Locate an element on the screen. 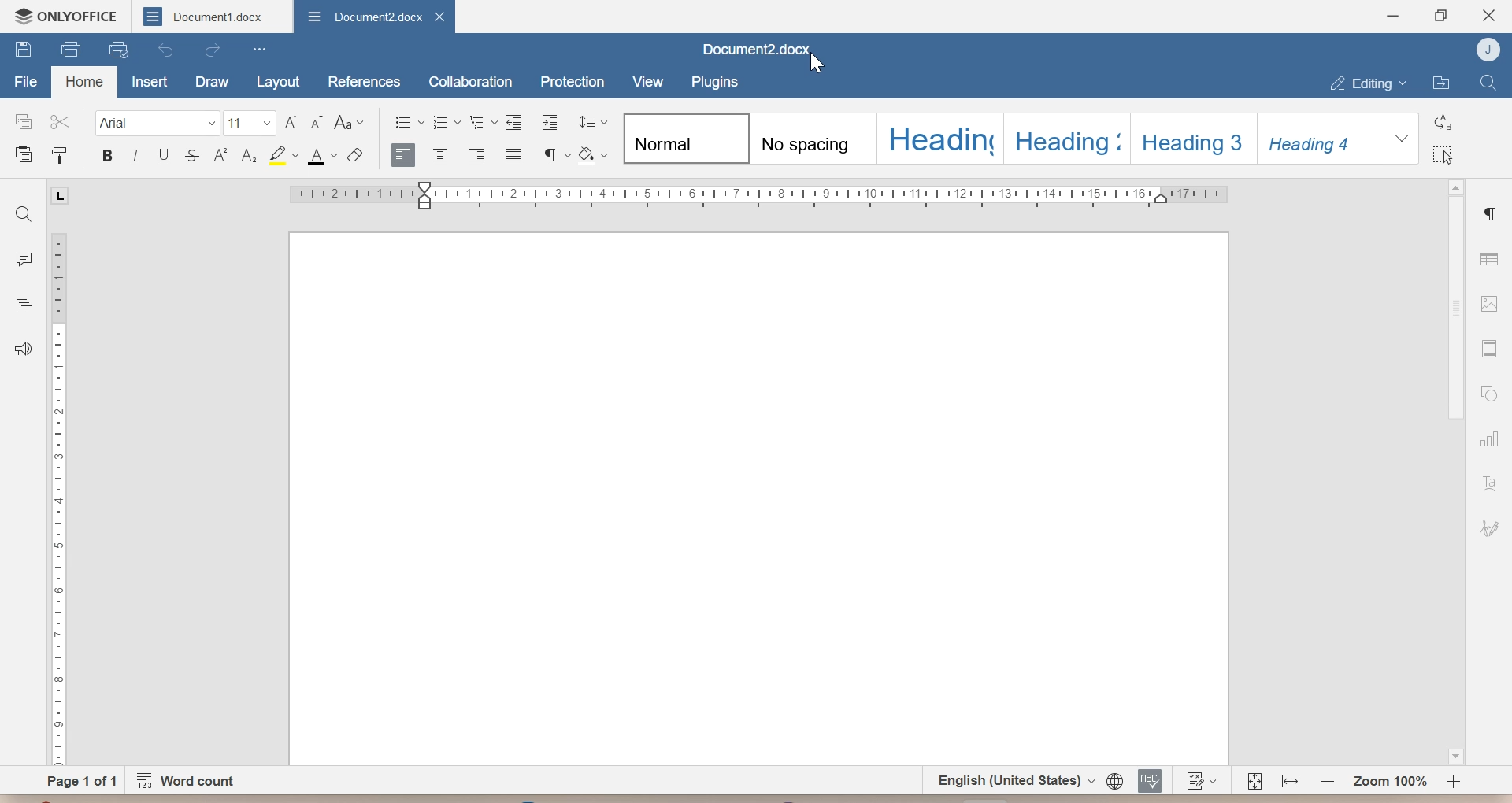 This screenshot has height=803, width=1512. Select all is located at coordinates (1443, 154).